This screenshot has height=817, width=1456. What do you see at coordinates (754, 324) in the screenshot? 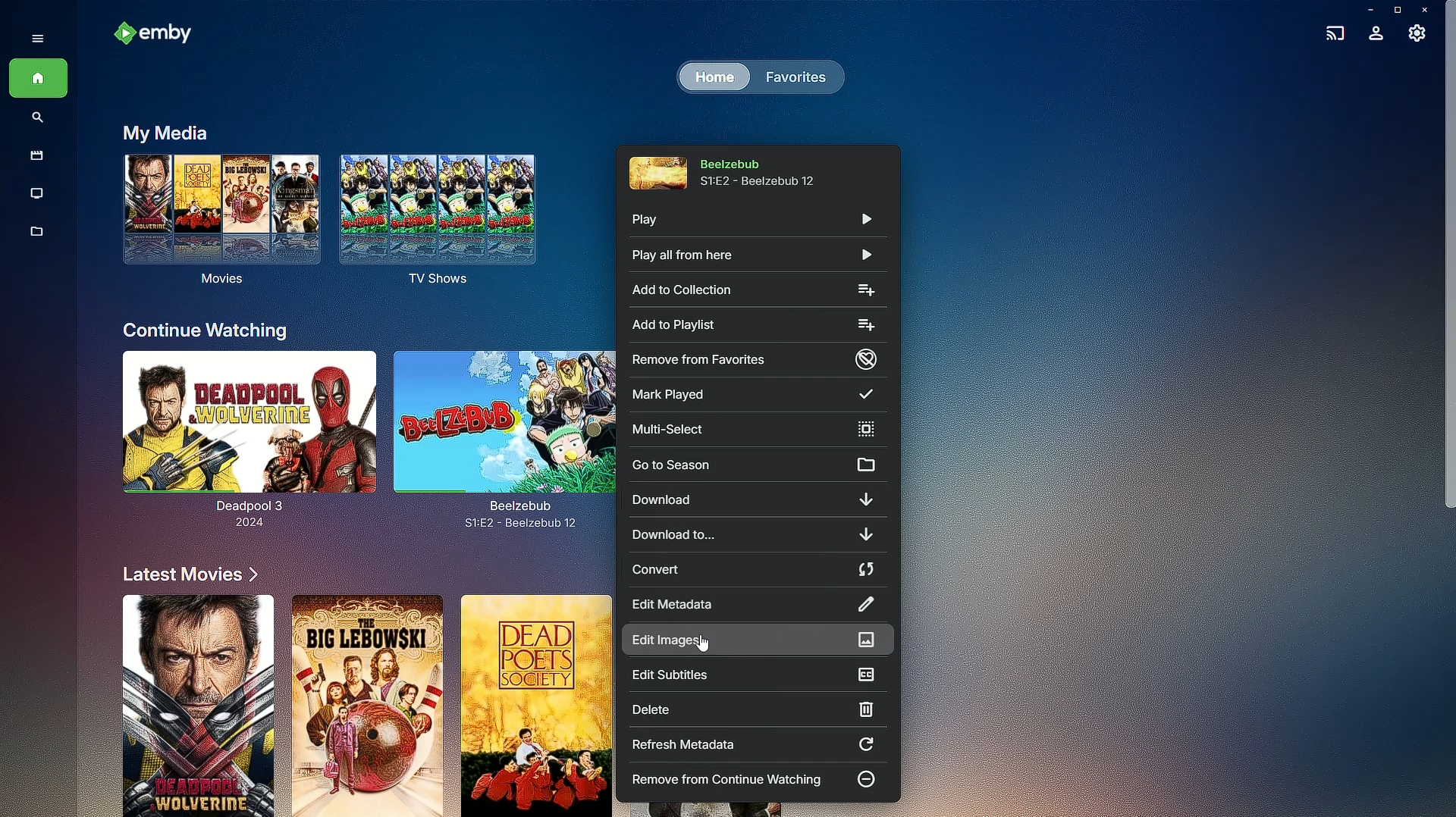
I see `Add to playlist` at bounding box center [754, 324].